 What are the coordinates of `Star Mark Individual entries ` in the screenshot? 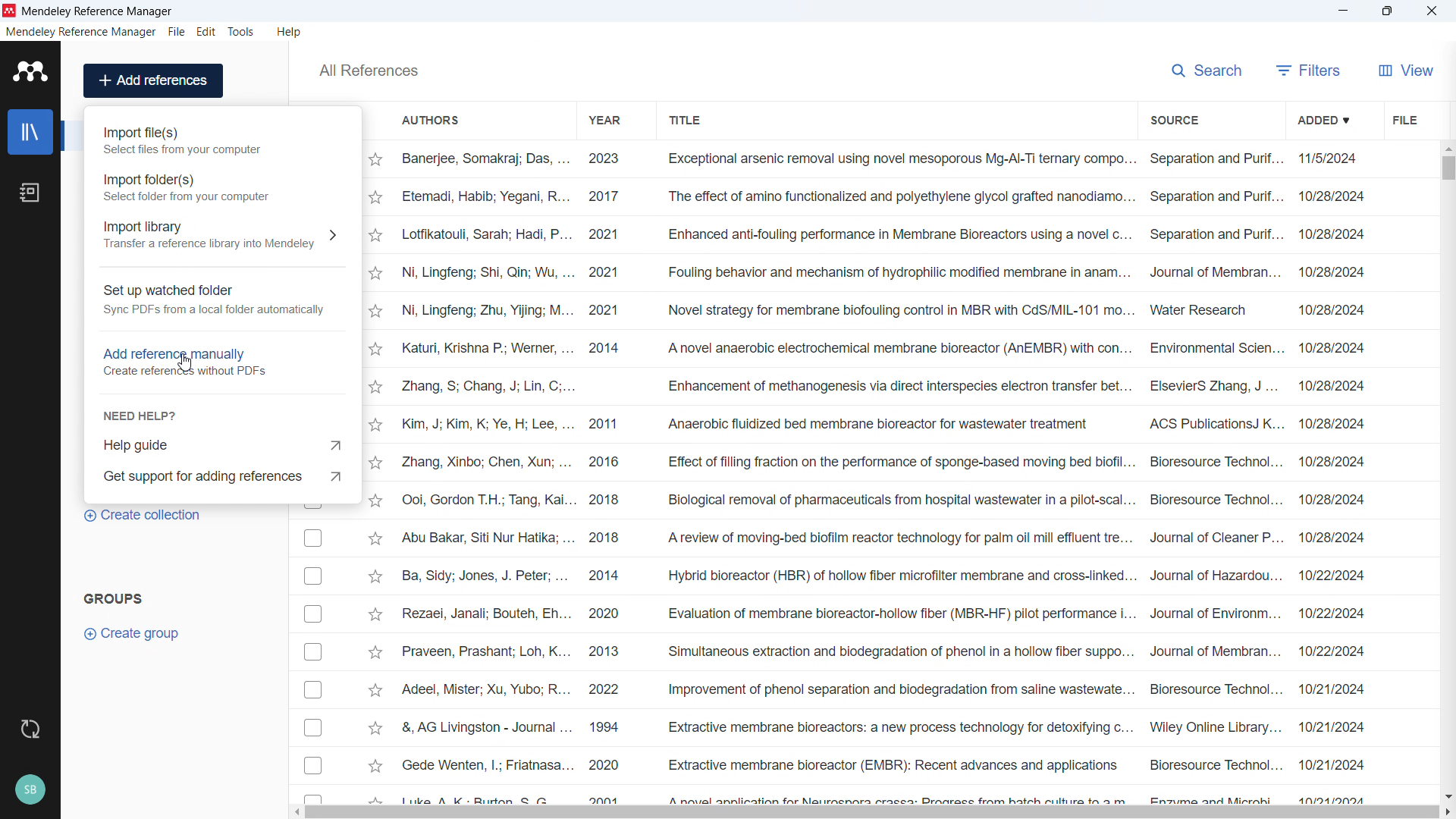 It's located at (375, 475).